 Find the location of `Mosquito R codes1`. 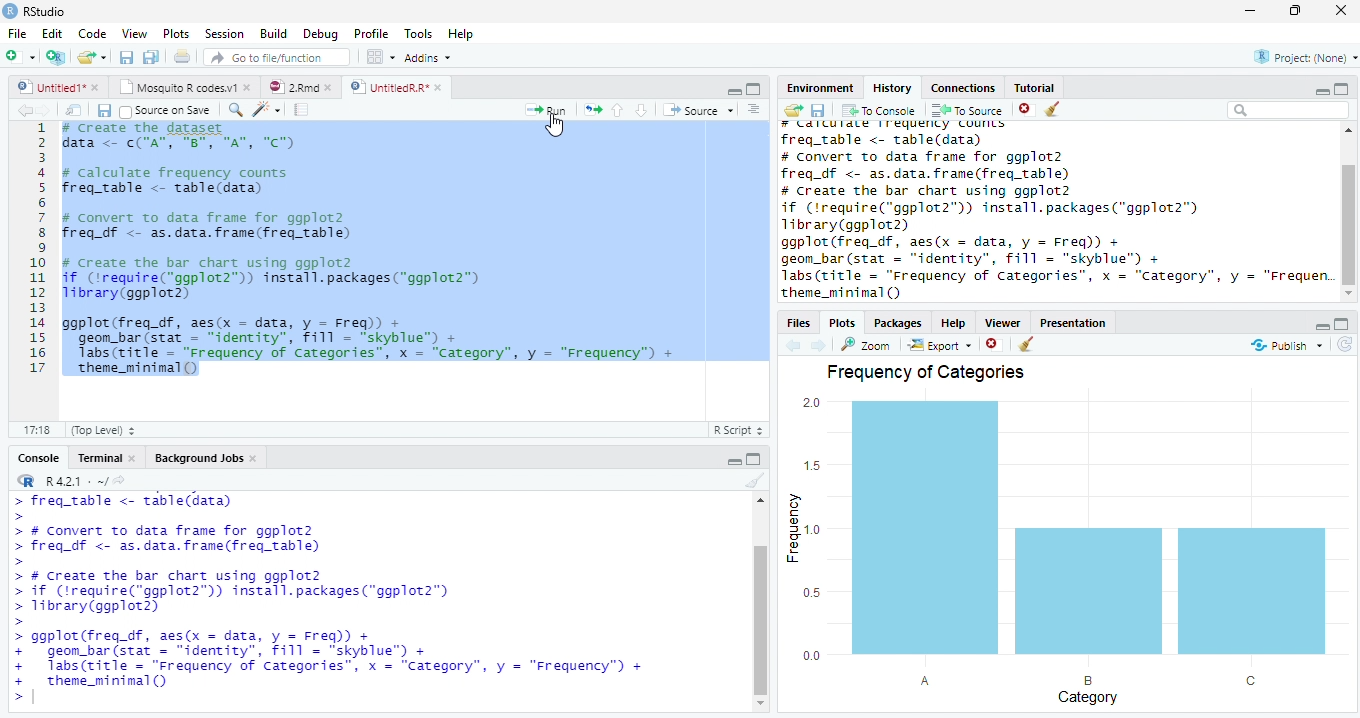

Mosquito R codes1 is located at coordinates (184, 90).